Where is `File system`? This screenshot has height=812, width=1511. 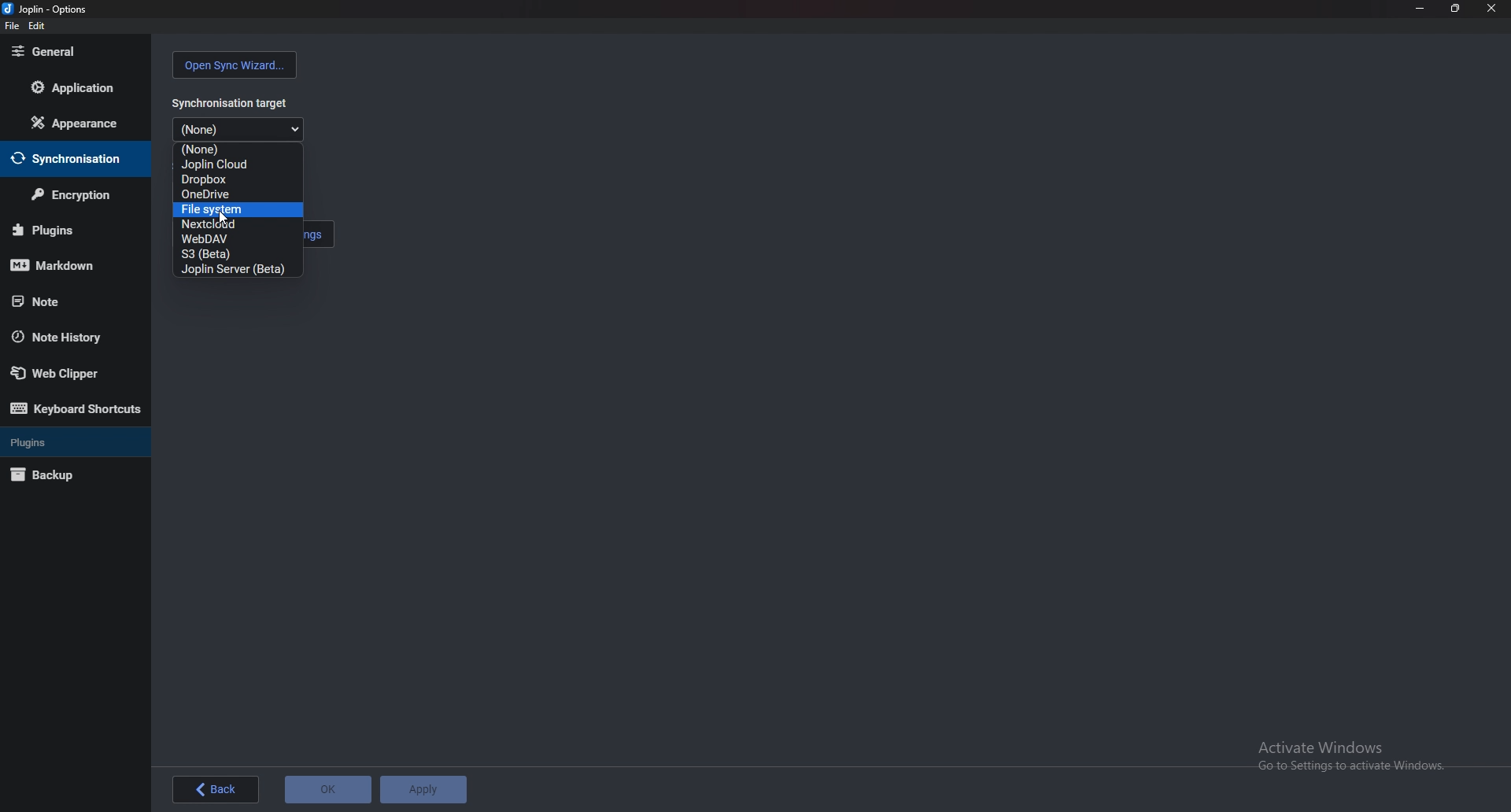 File system is located at coordinates (236, 209).